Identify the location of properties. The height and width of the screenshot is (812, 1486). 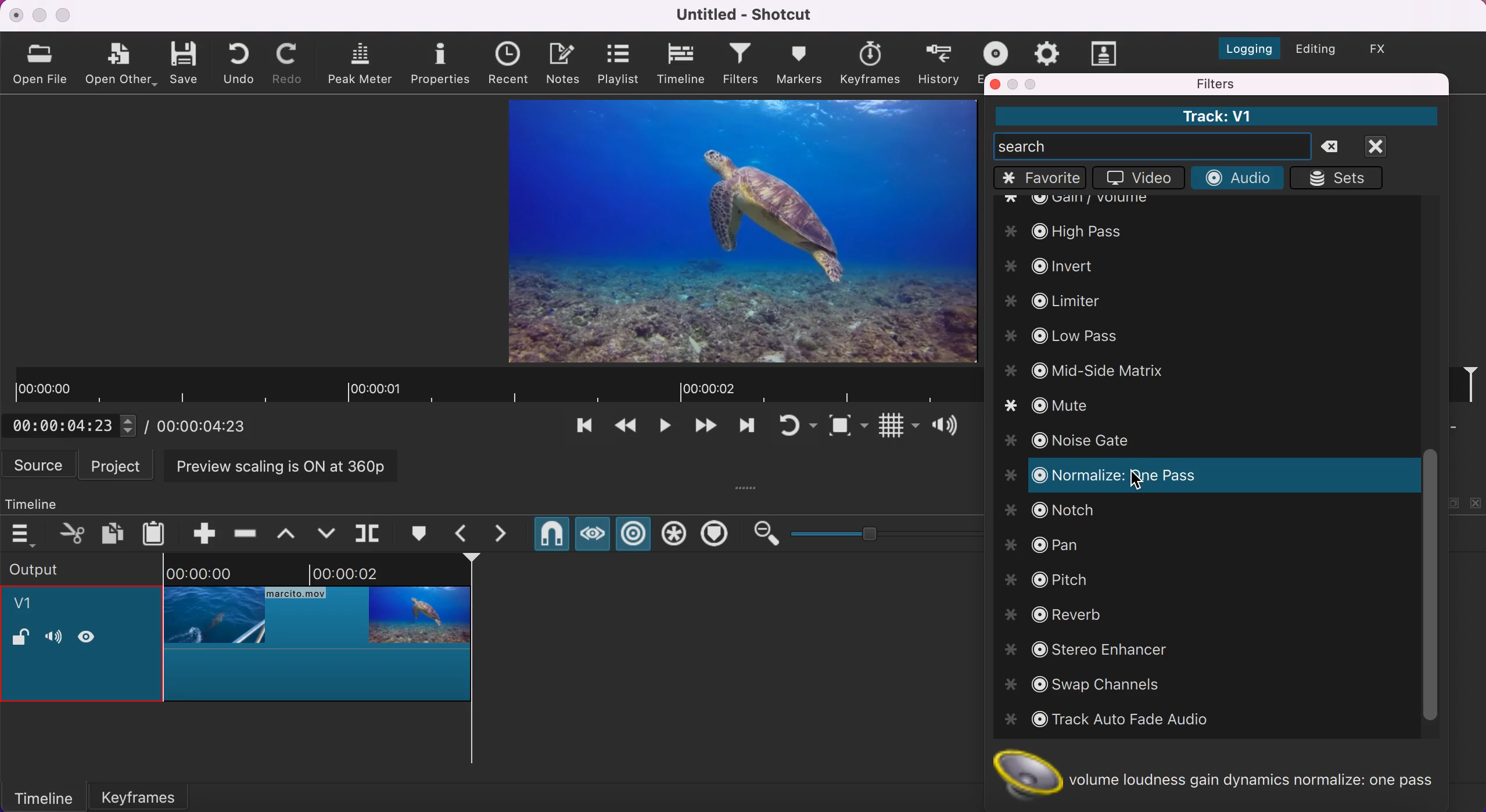
(442, 62).